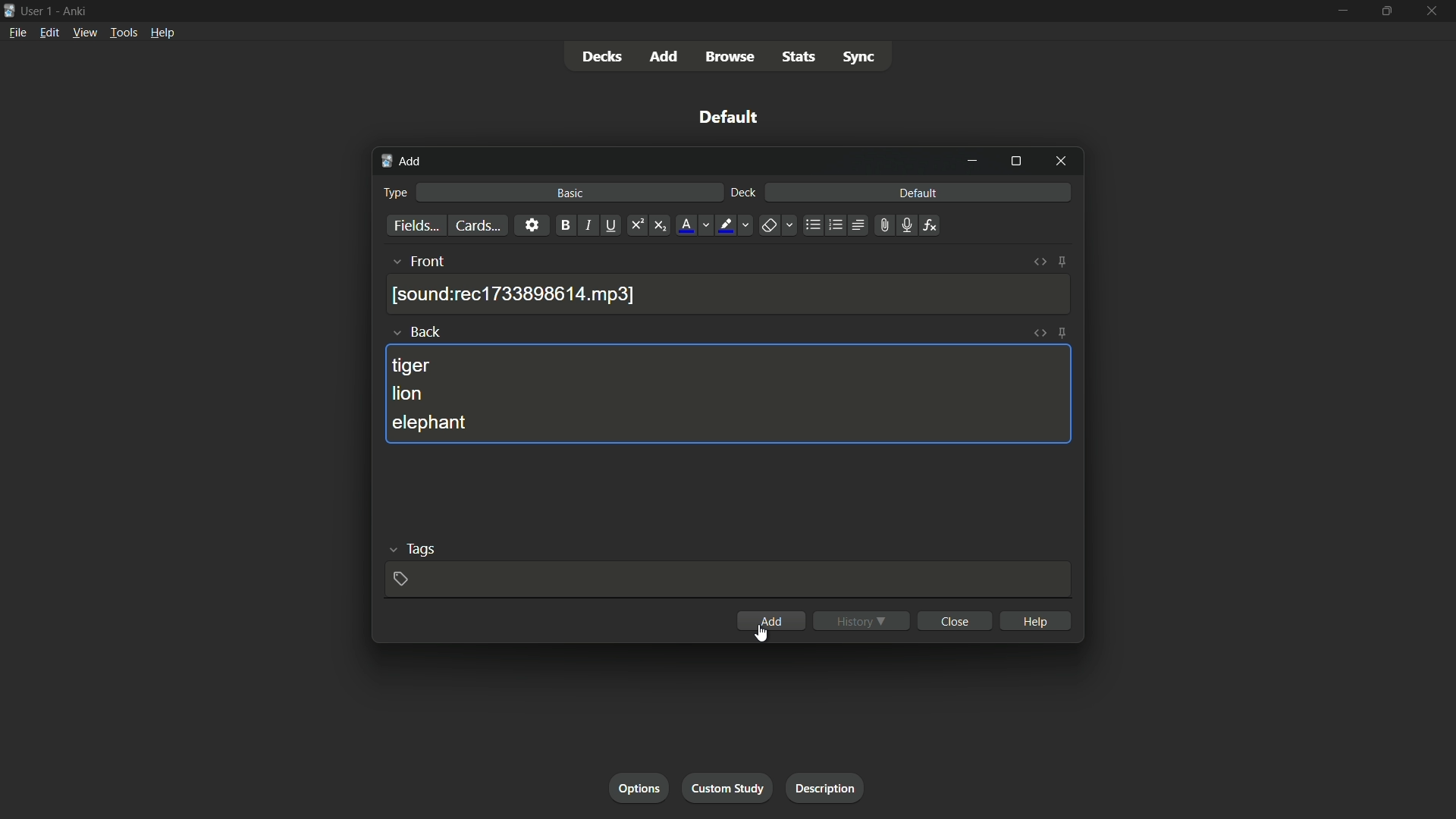  What do you see at coordinates (726, 789) in the screenshot?
I see `custom study` at bounding box center [726, 789].